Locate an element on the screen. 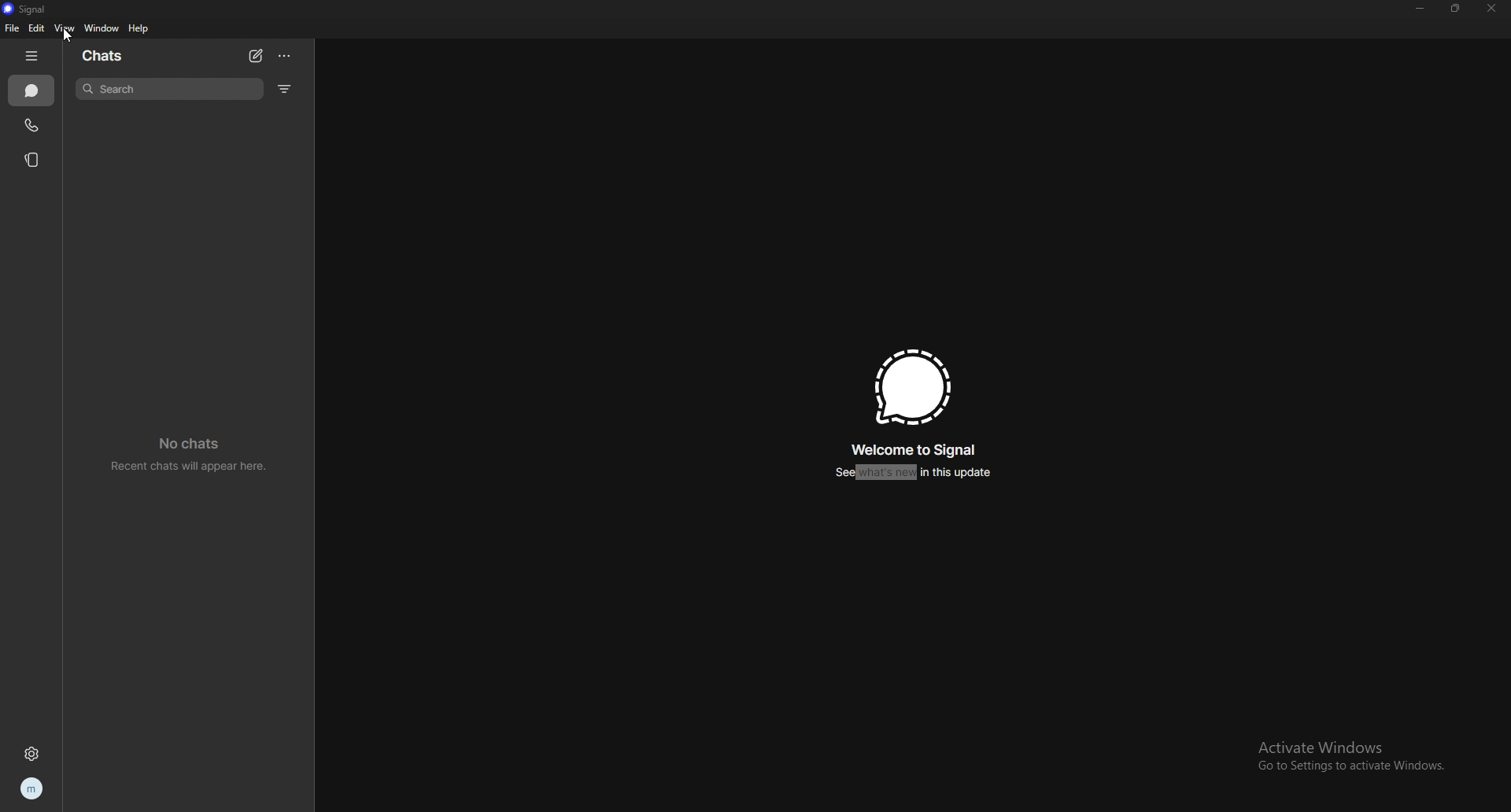  profile is located at coordinates (30, 787).